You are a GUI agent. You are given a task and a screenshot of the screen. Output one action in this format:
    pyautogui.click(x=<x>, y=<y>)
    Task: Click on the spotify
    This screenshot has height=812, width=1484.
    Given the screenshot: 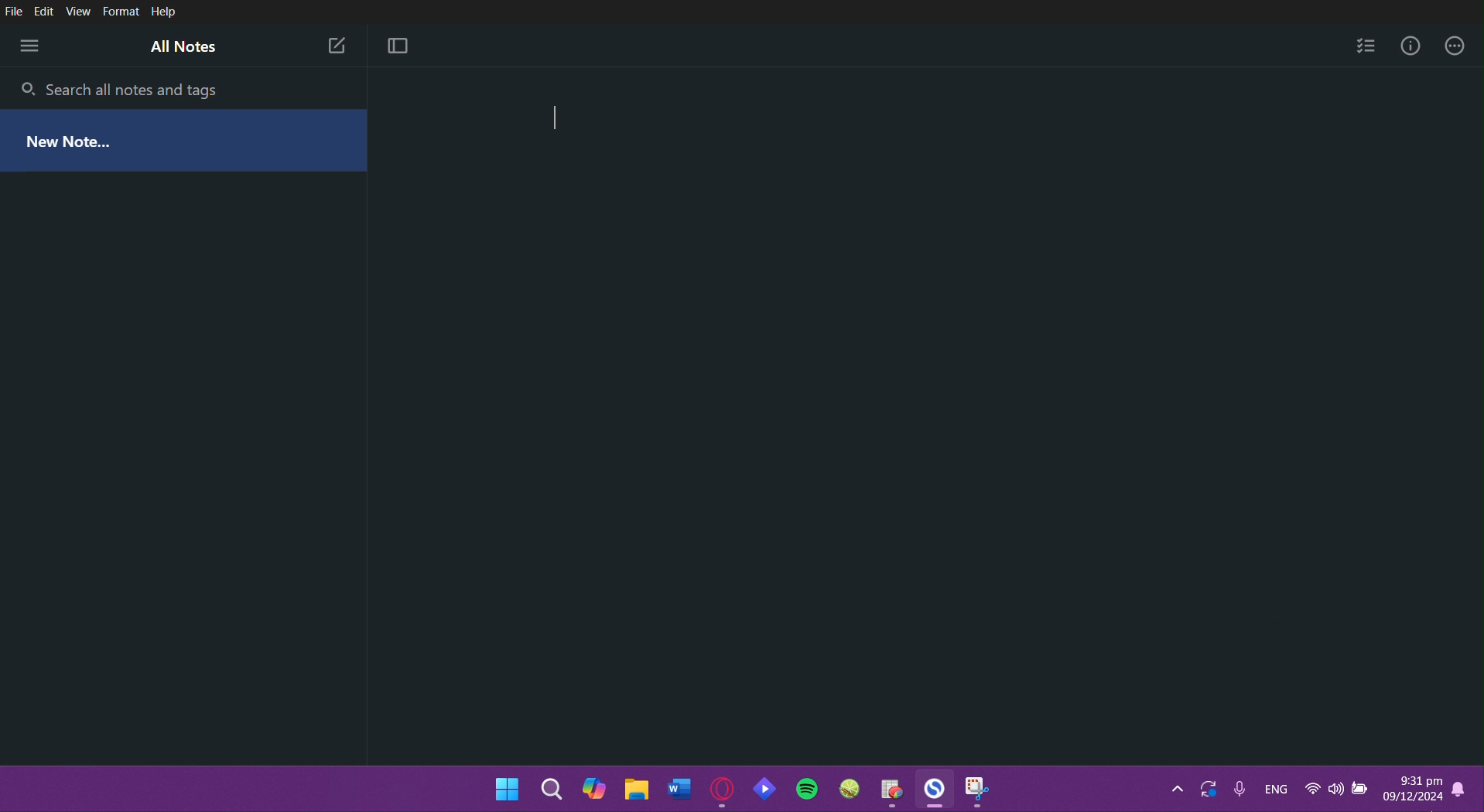 What is the action you would take?
    pyautogui.click(x=806, y=787)
    